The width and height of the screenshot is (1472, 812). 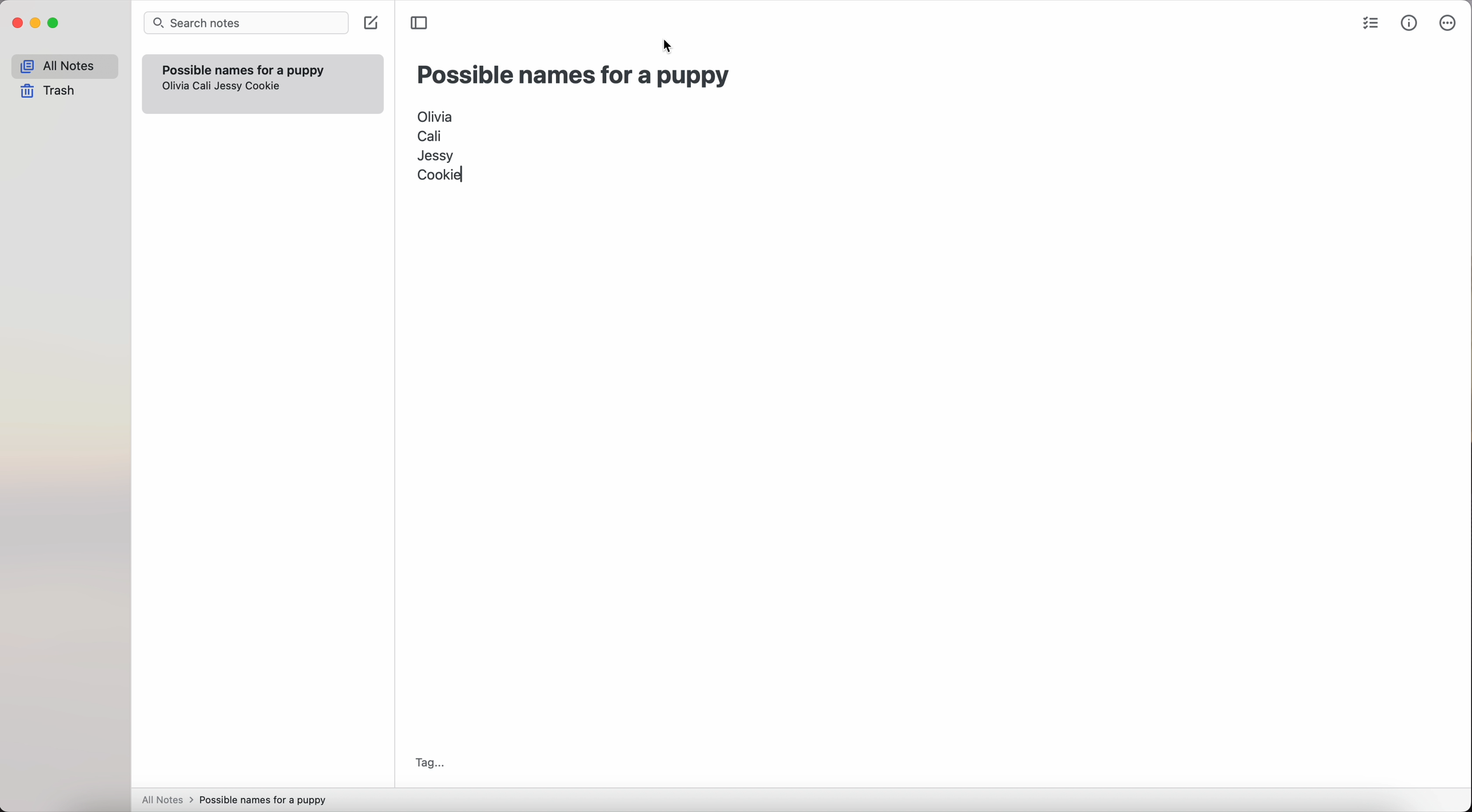 What do you see at coordinates (266, 85) in the screenshot?
I see `Cookie` at bounding box center [266, 85].